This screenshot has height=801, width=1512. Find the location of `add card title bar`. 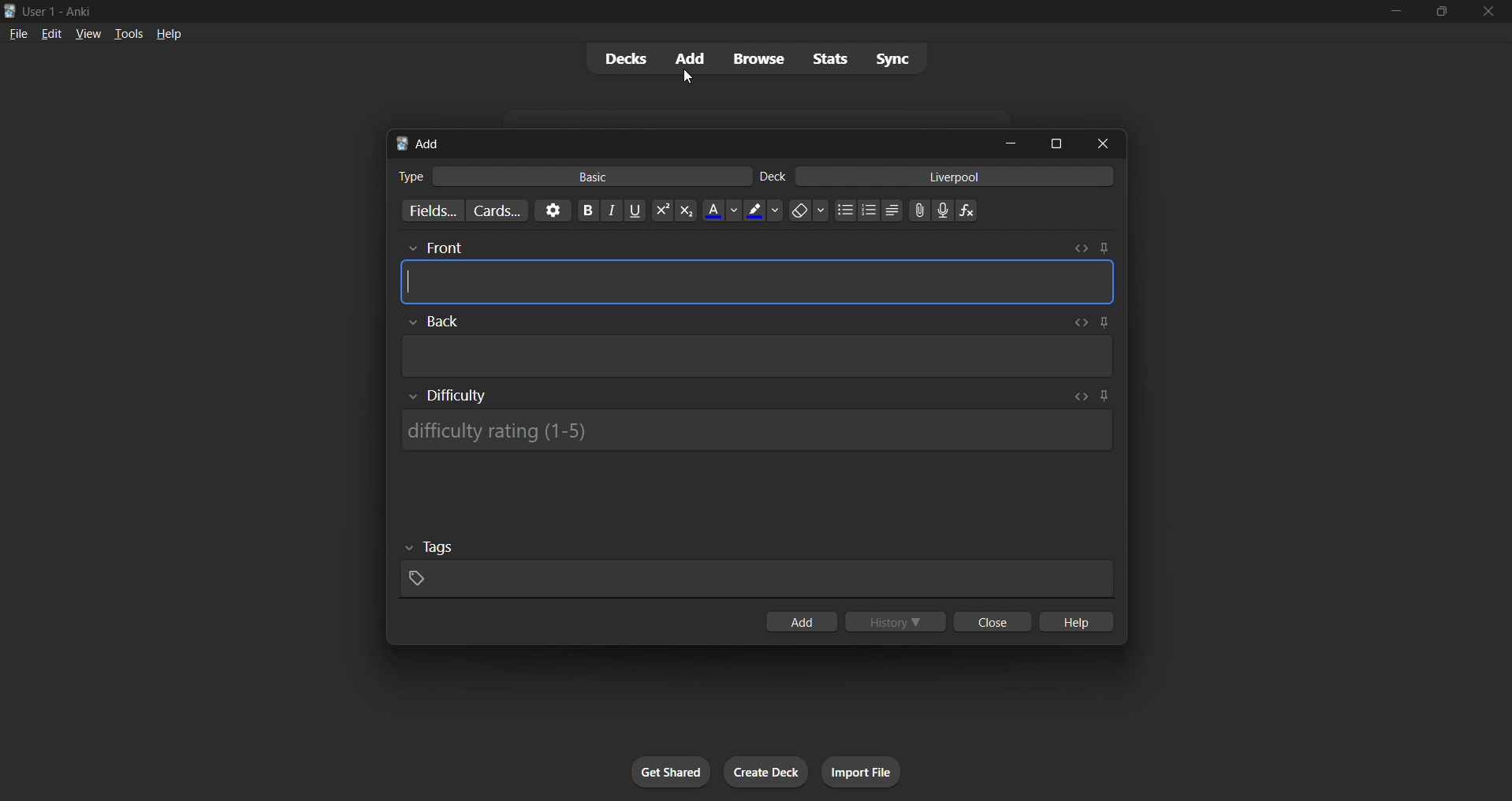

add card title bar is located at coordinates (689, 141).